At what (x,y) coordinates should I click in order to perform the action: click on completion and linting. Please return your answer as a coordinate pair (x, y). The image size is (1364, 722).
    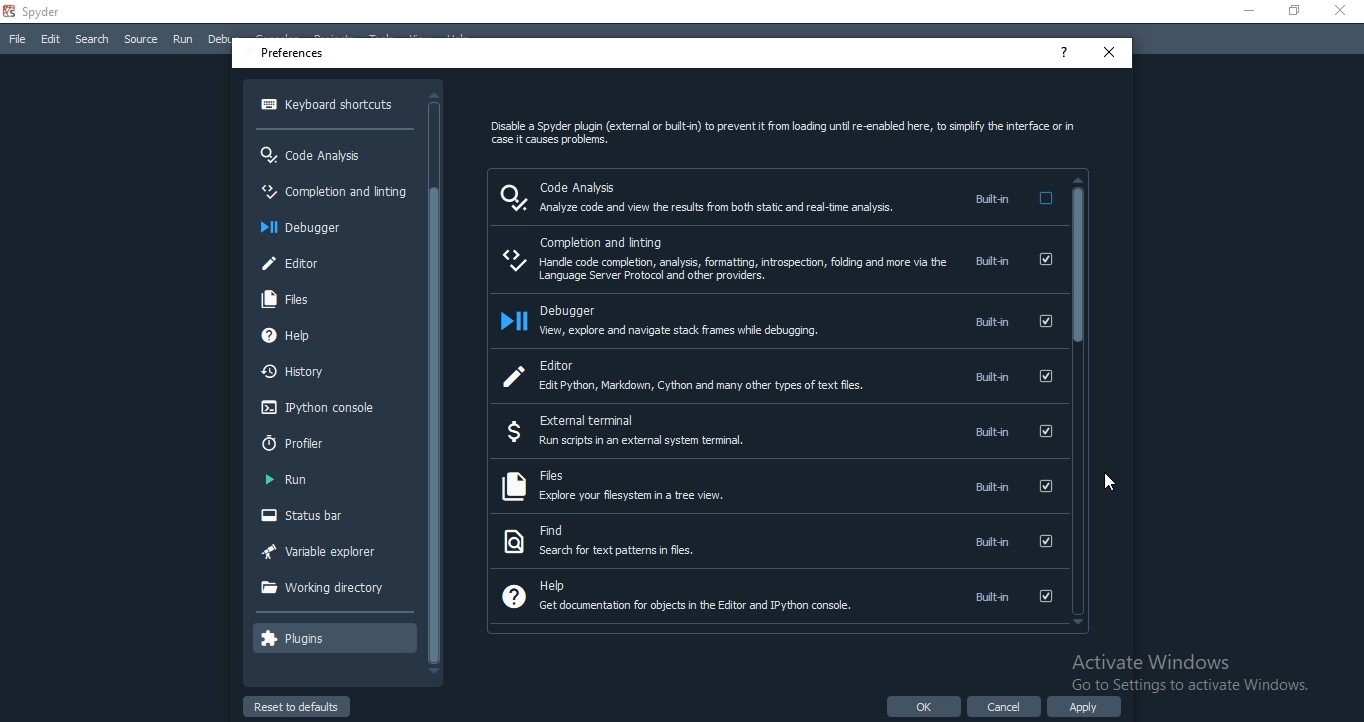
    Looking at the image, I should click on (778, 259).